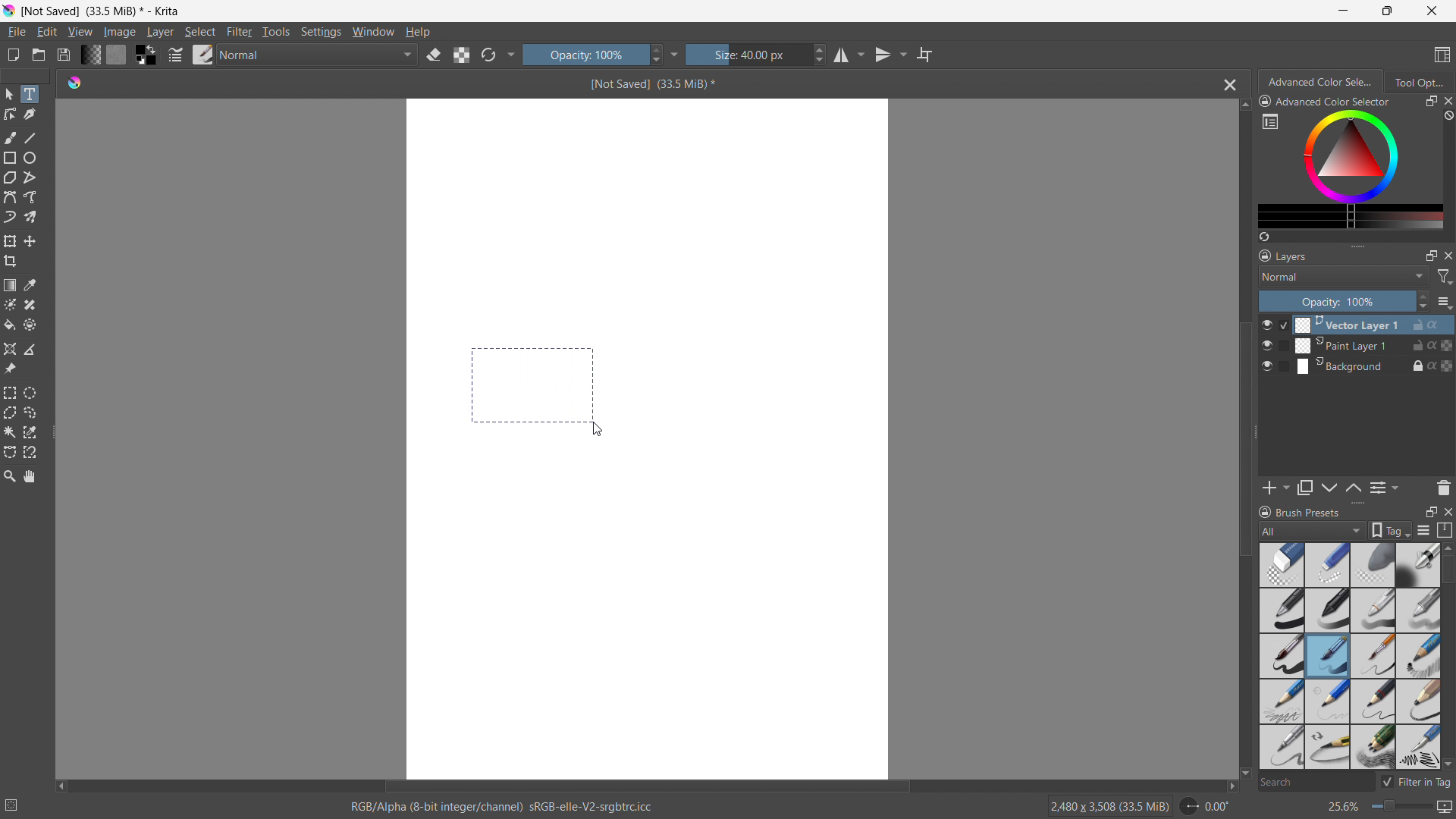  What do you see at coordinates (592, 54) in the screenshot?
I see `opacity control` at bounding box center [592, 54].